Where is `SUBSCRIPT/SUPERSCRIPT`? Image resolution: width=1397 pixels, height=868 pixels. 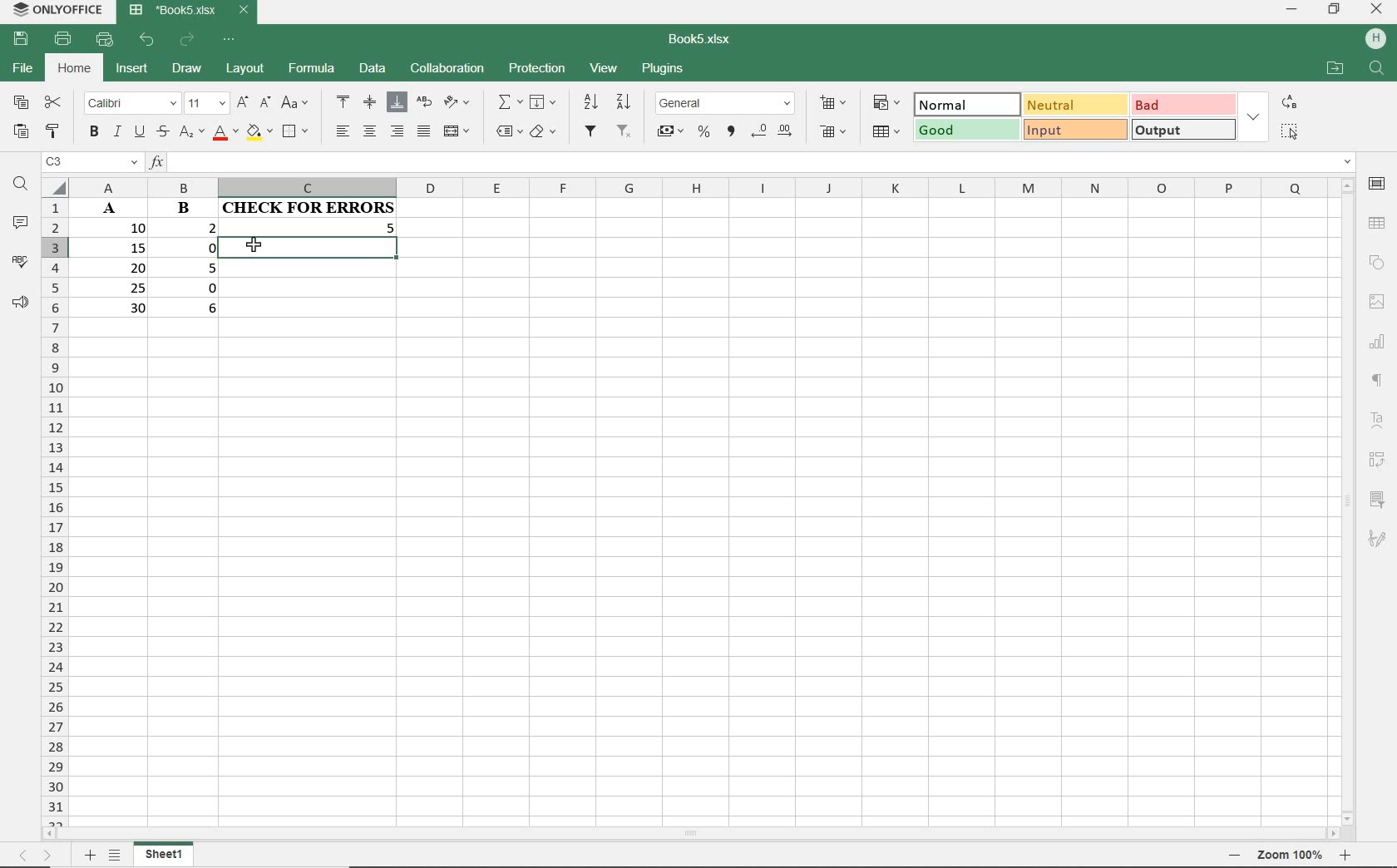
SUBSCRIPT/SUPERSCRIPT is located at coordinates (189, 135).